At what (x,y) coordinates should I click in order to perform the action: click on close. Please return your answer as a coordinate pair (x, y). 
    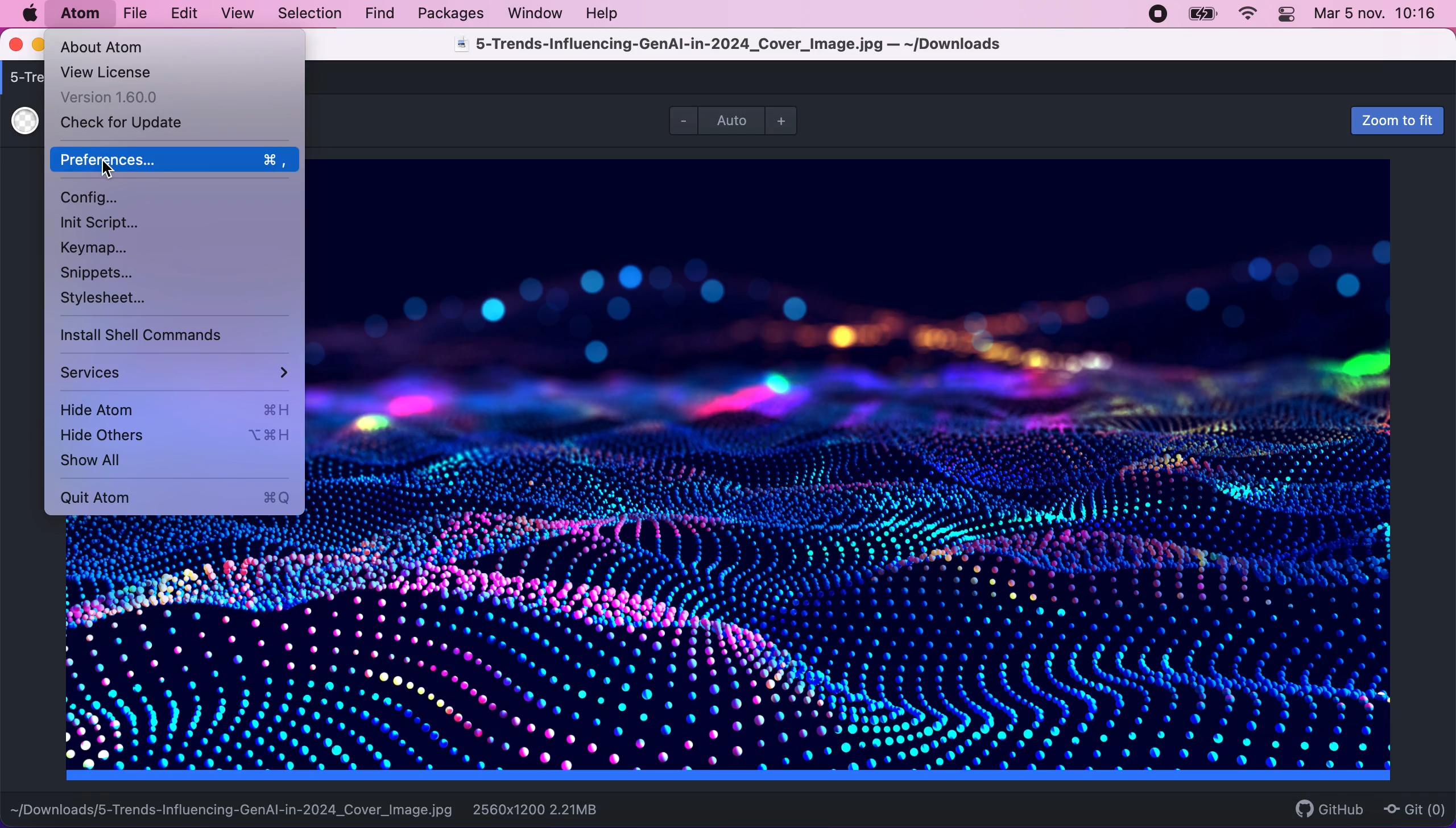
    Looking at the image, I should click on (17, 45).